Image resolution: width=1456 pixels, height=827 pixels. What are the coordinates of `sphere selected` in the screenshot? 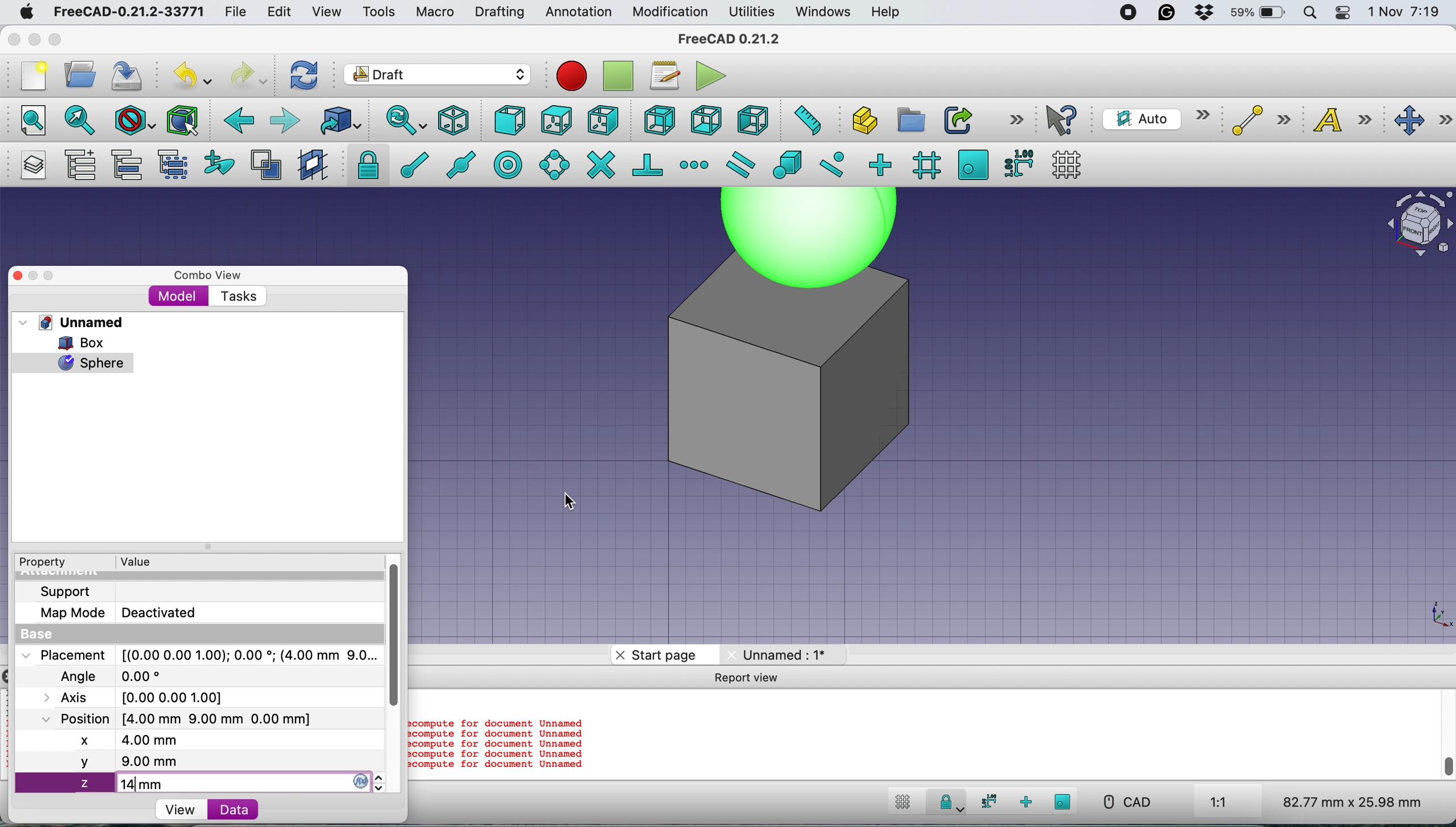 It's located at (73, 360).